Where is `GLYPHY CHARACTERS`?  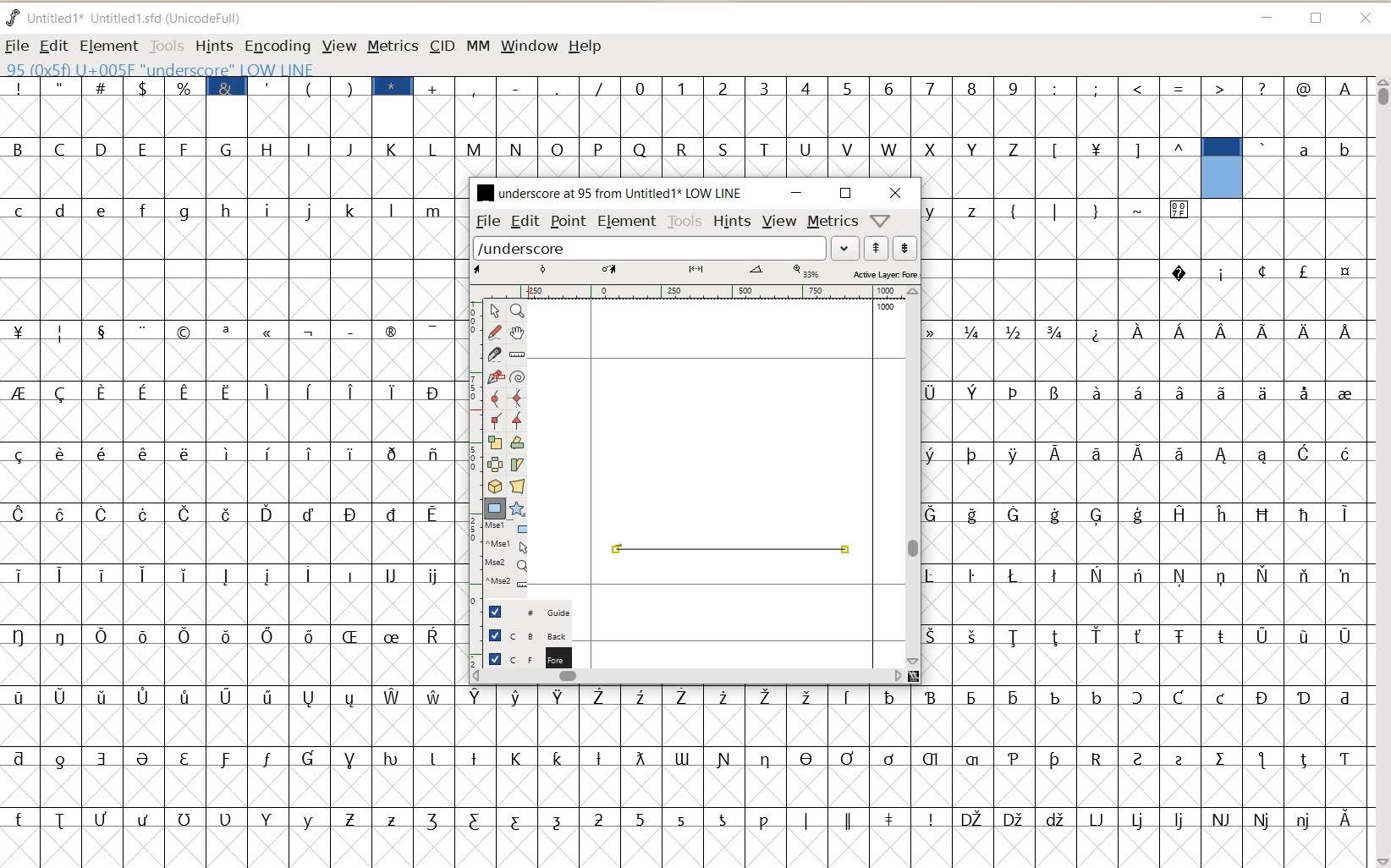
GLYPHY CHARACTERS is located at coordinates (229, 461).